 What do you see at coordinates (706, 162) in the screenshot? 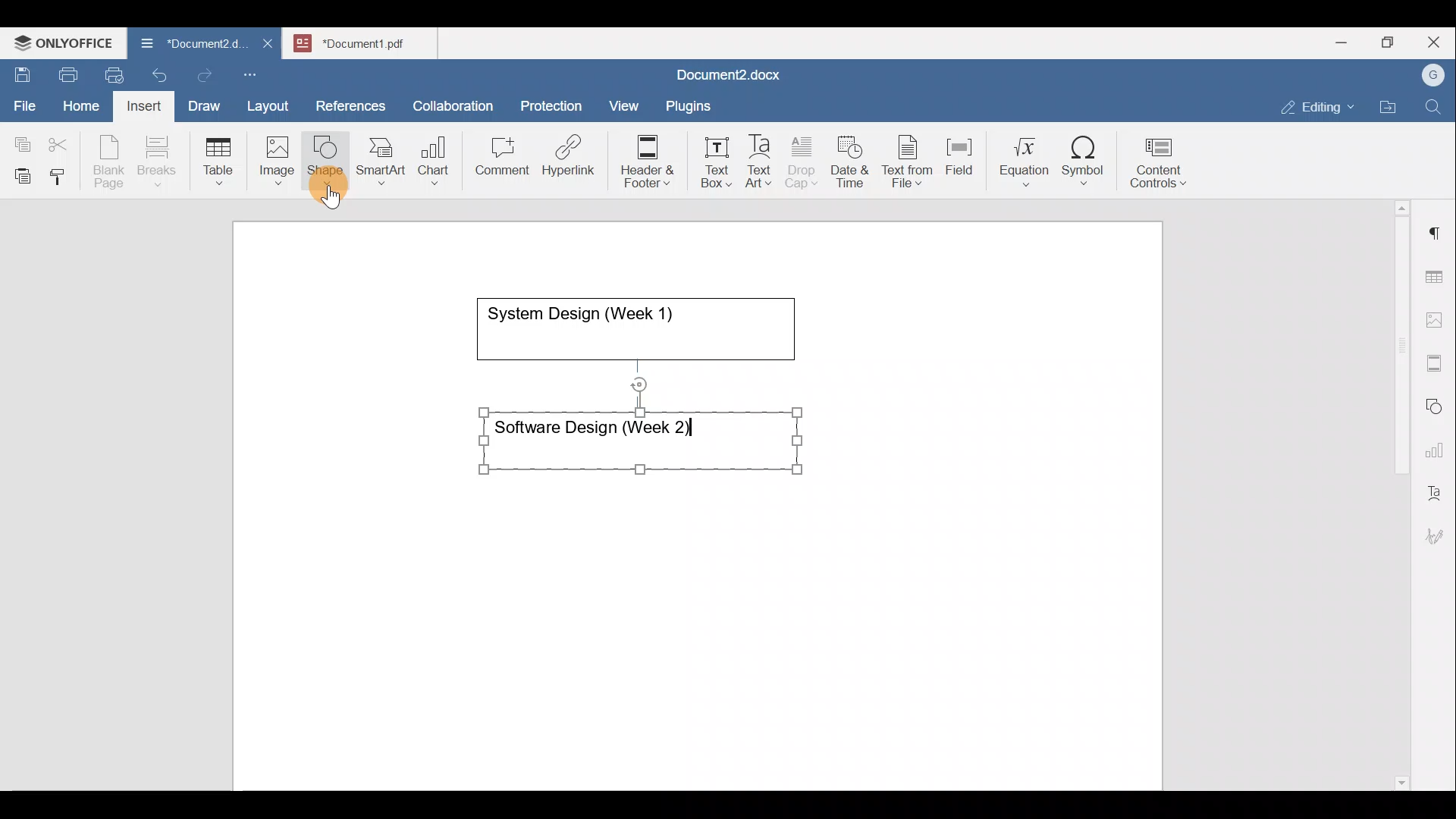
I see `Text box` at bounding box center [706, 162].